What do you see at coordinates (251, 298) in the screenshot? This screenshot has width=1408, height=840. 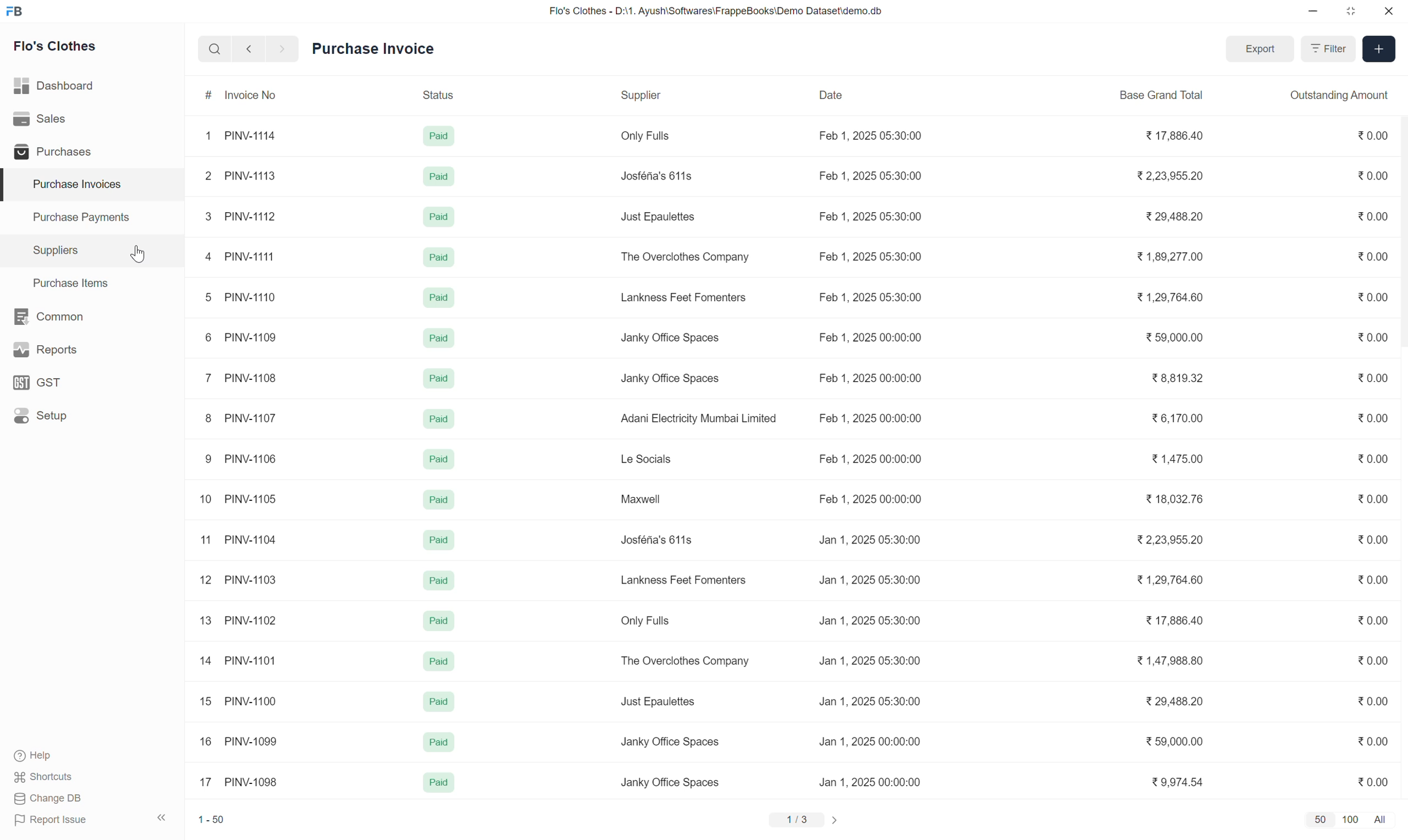 I see `PINV-1110` at bounding box center [251, 298].